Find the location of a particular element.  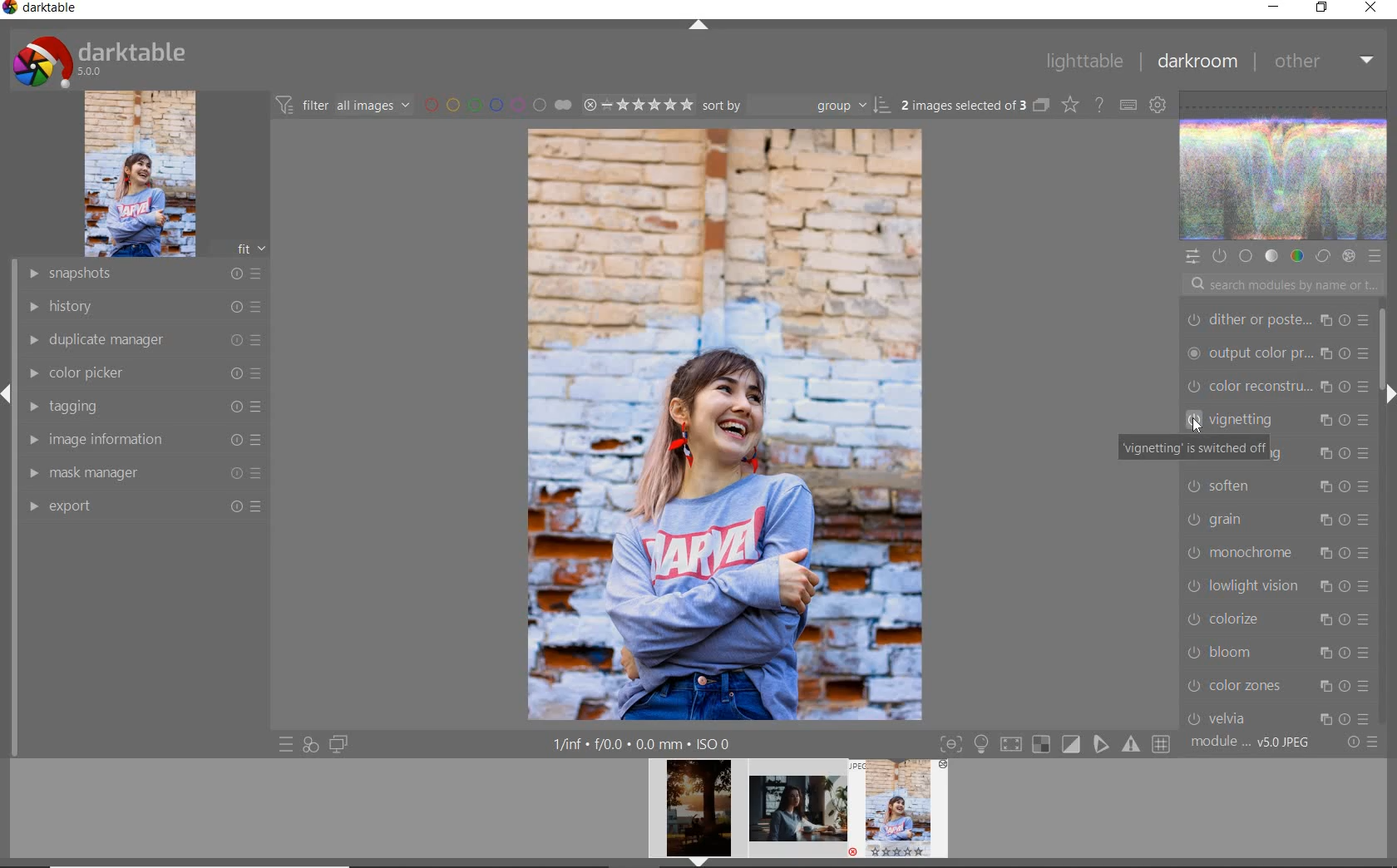

system logo and name is located at coordinates (102, 59).